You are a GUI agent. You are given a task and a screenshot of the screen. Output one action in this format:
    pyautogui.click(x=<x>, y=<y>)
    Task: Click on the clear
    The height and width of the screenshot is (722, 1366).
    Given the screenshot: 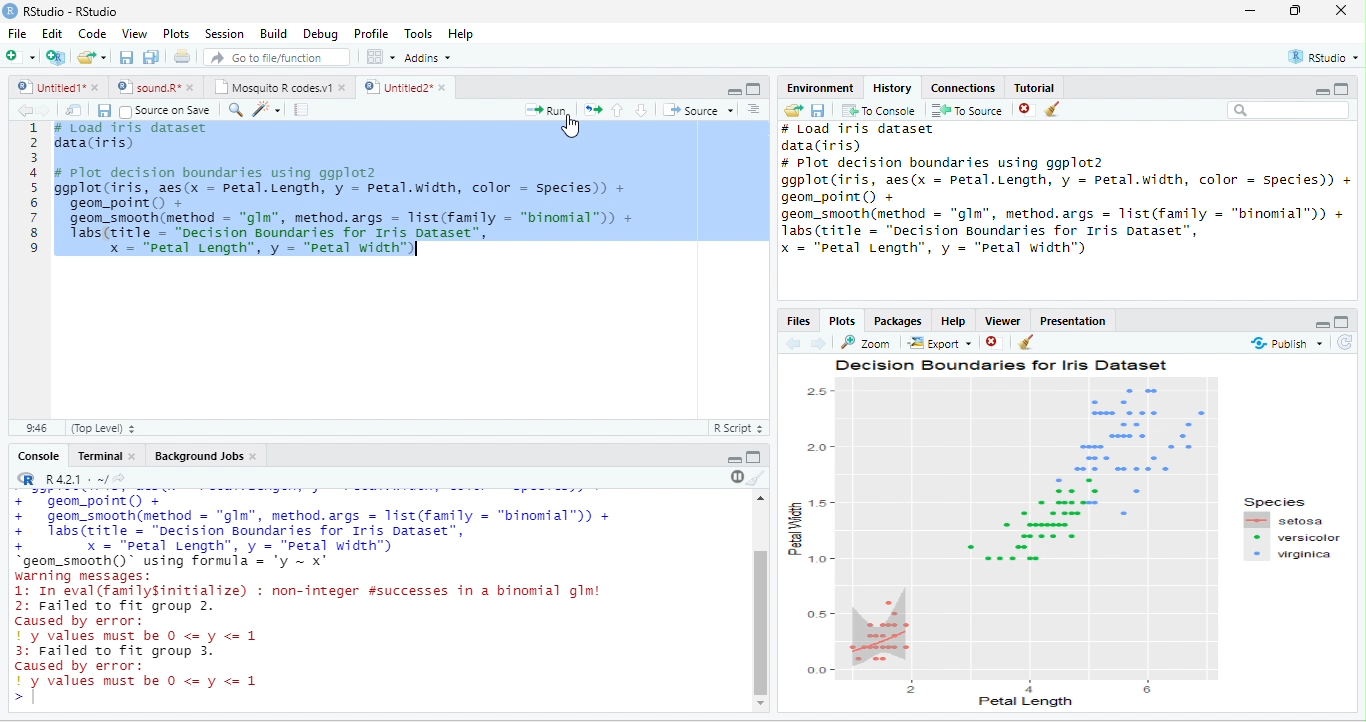 What is the action you would take?
    pyautogui.click(x=1052, y=109)
    